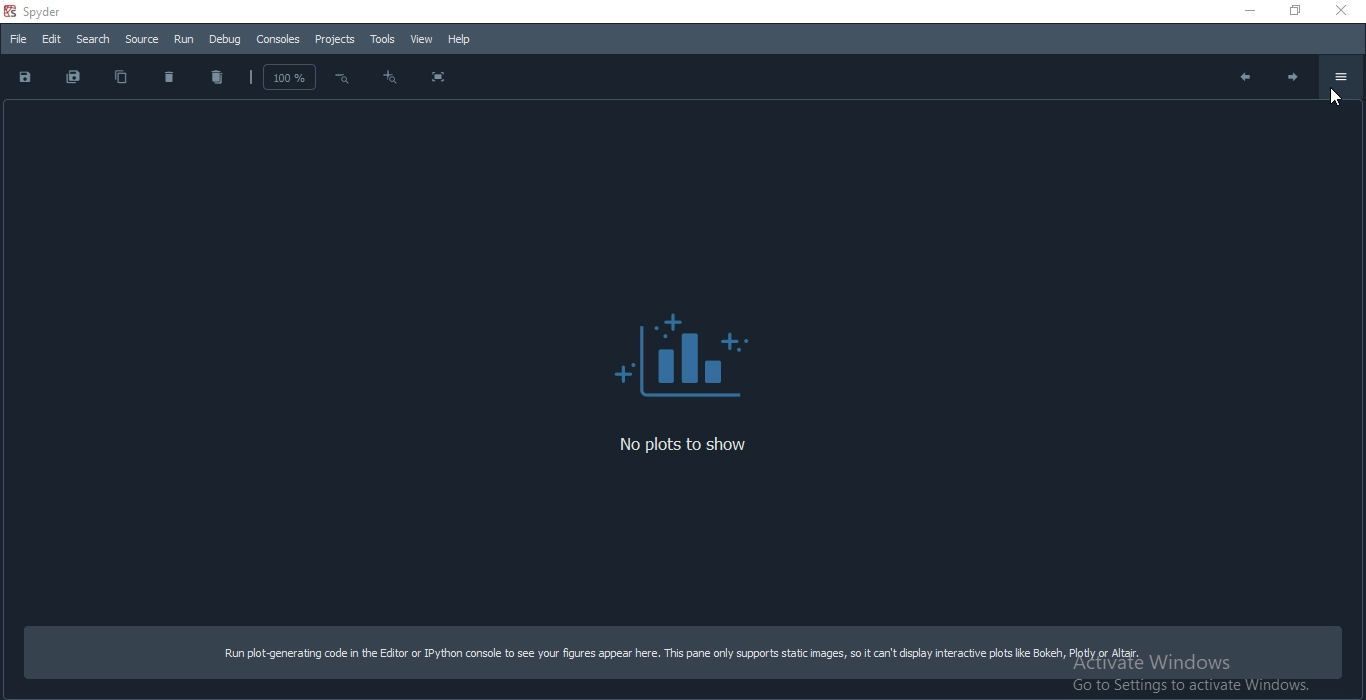 The image size is (1366, 700). What do you see at coordinates (142, 40) in the screenshot?
I see `Source` at bounding box center [142, 40].